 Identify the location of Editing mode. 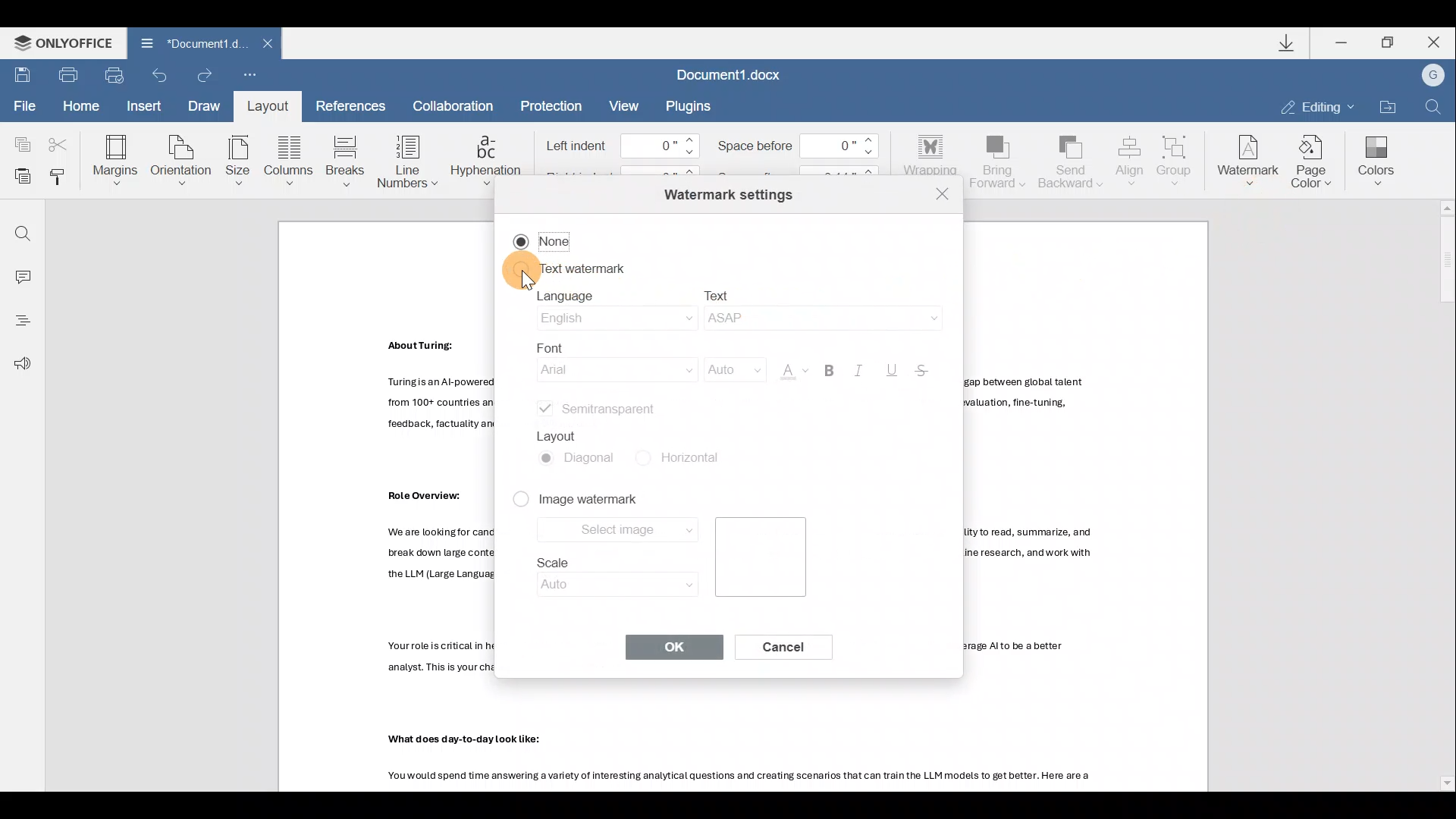
(1314, 105).